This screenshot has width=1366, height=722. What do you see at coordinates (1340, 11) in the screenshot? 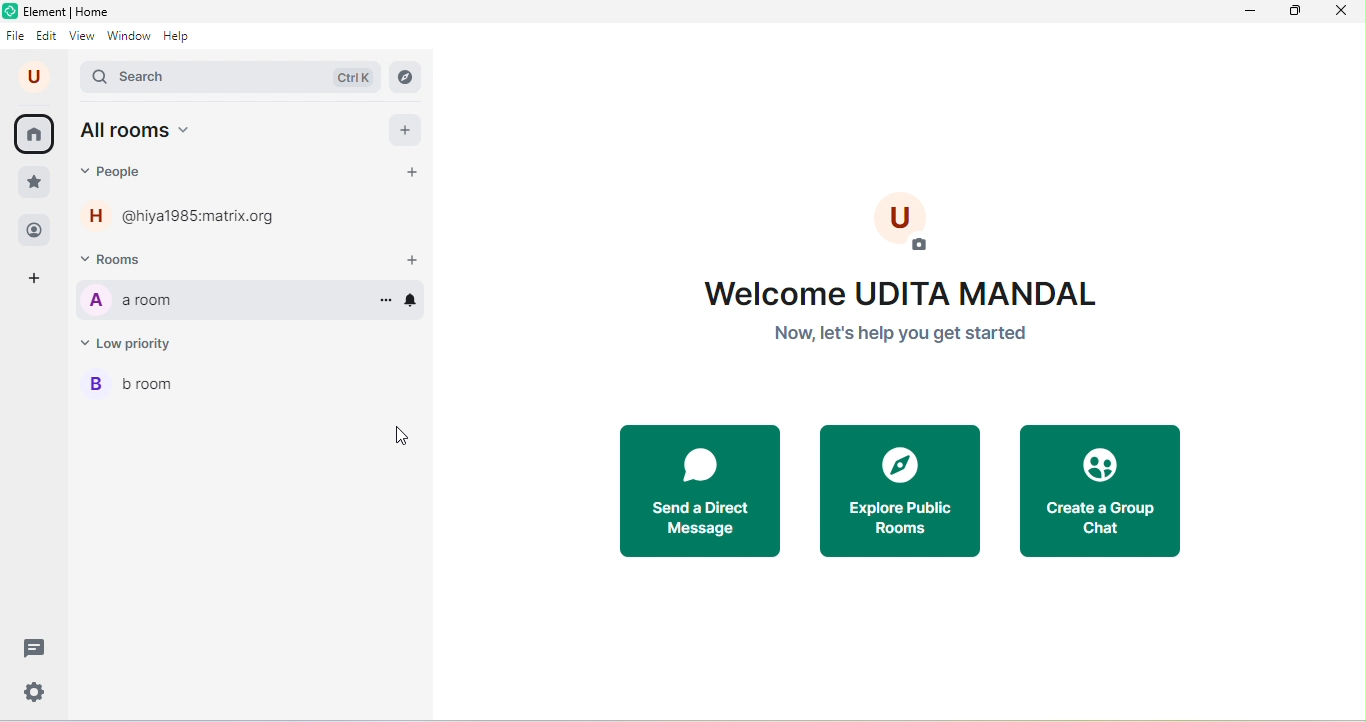
I see `close` at bounding box center [1340, 11].